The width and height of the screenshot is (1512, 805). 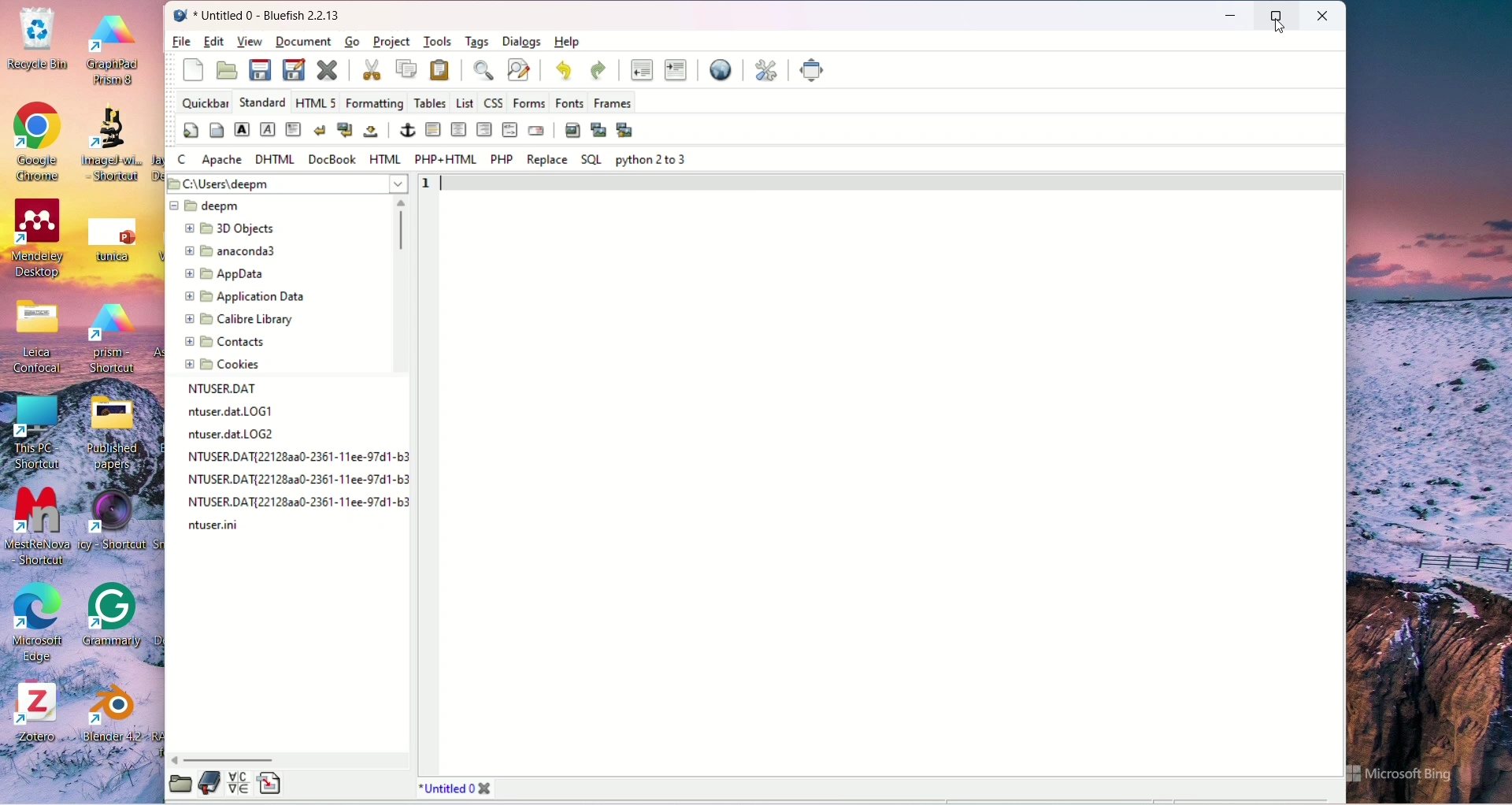 I want to click on fullscreen, so click(x=813, y=70).